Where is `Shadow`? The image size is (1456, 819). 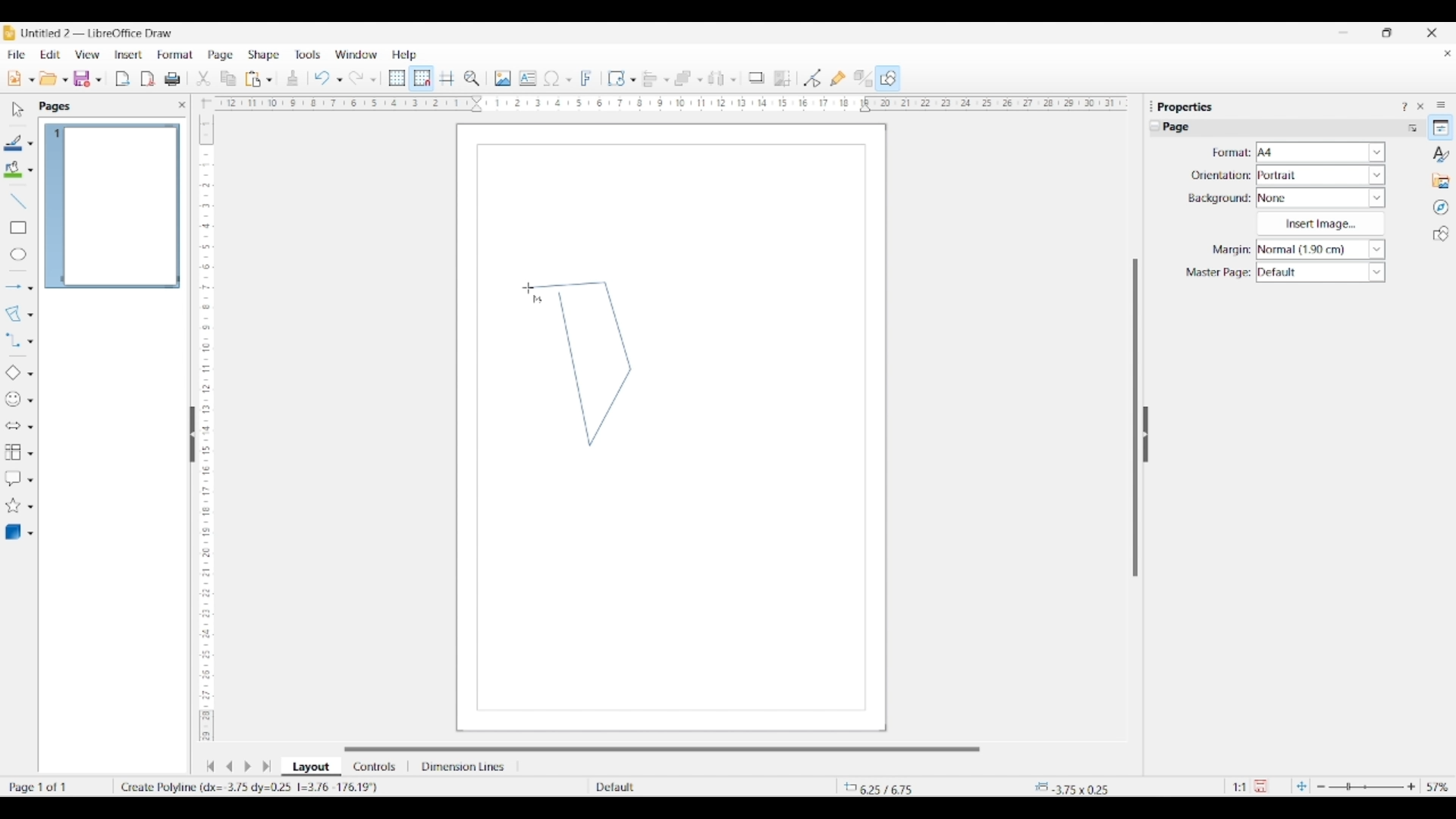 Shadow is located at coordinates (756, 77).